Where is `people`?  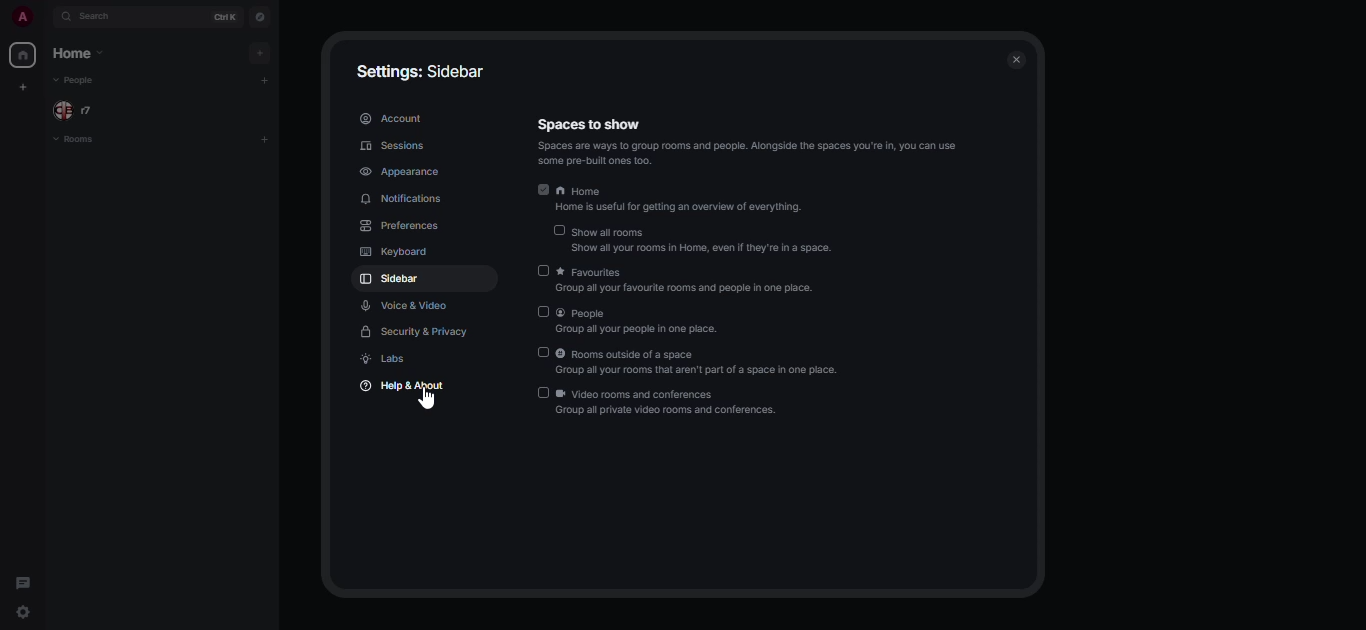 people is located at coordinates (81, 109).